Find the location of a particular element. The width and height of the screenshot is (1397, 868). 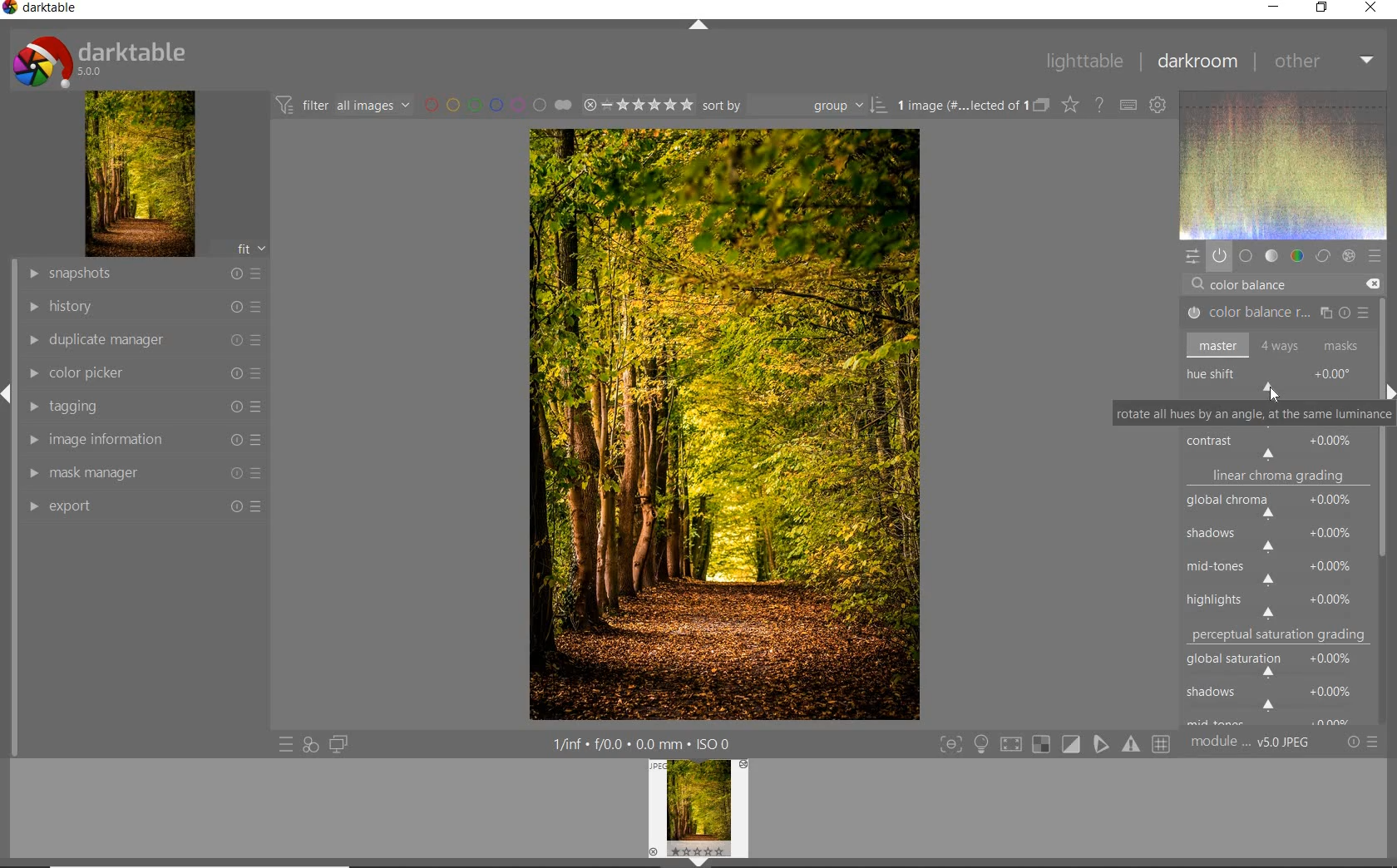

system logo or name is located at coordinates (106, 60).